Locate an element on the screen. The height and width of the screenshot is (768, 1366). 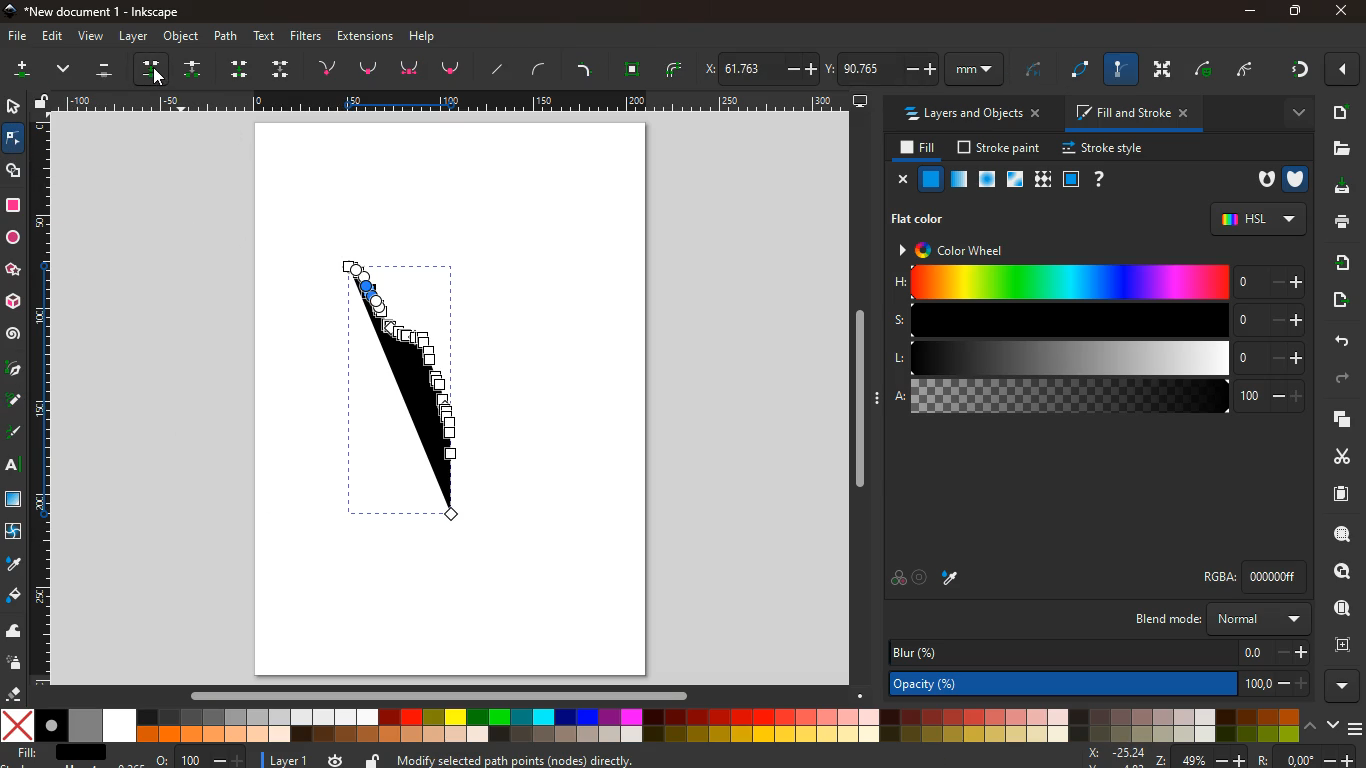
help is located at coordinates (1097, 179).